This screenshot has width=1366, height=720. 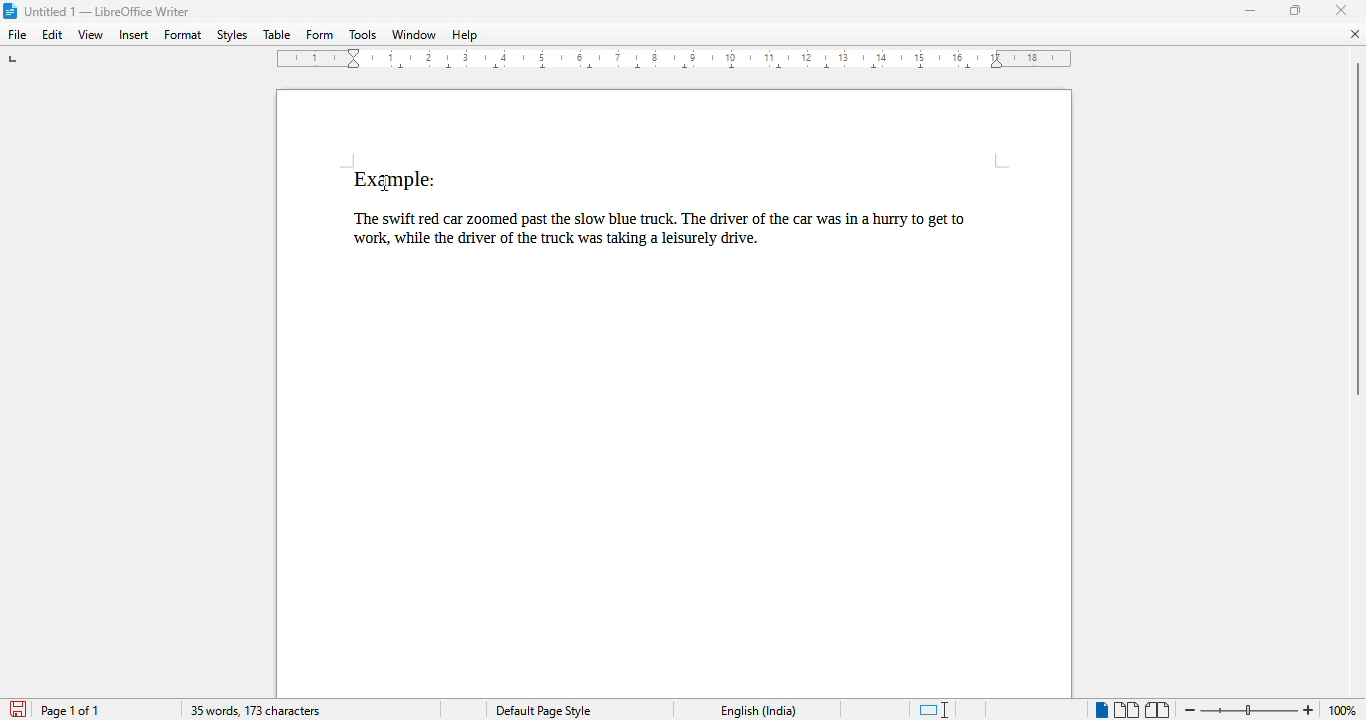 What do you see at coordinates (277, 35) in the screenshot?
I see `table` at bounding box center [277, 35].